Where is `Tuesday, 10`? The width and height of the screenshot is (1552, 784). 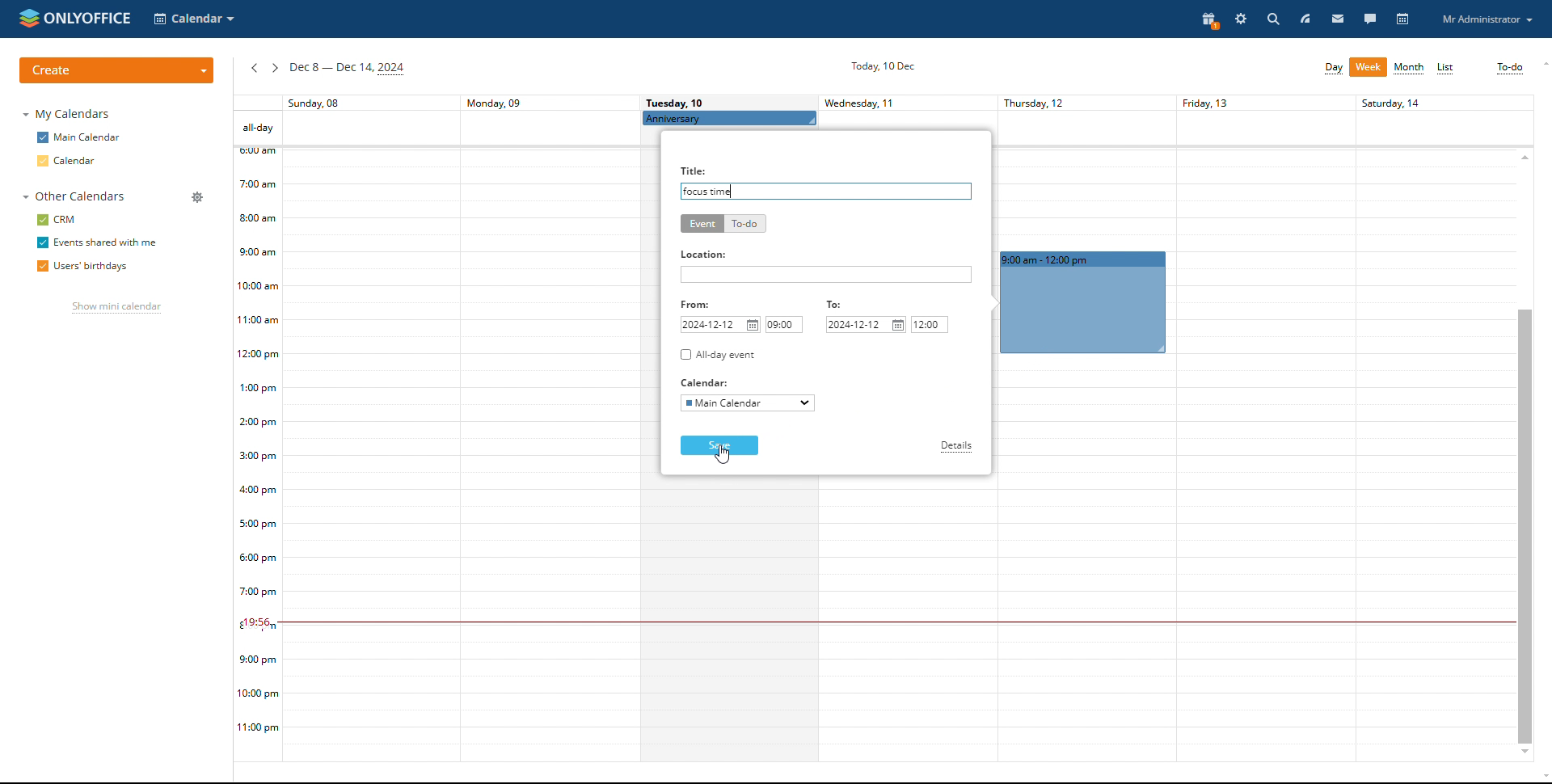
Tuesday, 10 is located at coordinates (677, 102).